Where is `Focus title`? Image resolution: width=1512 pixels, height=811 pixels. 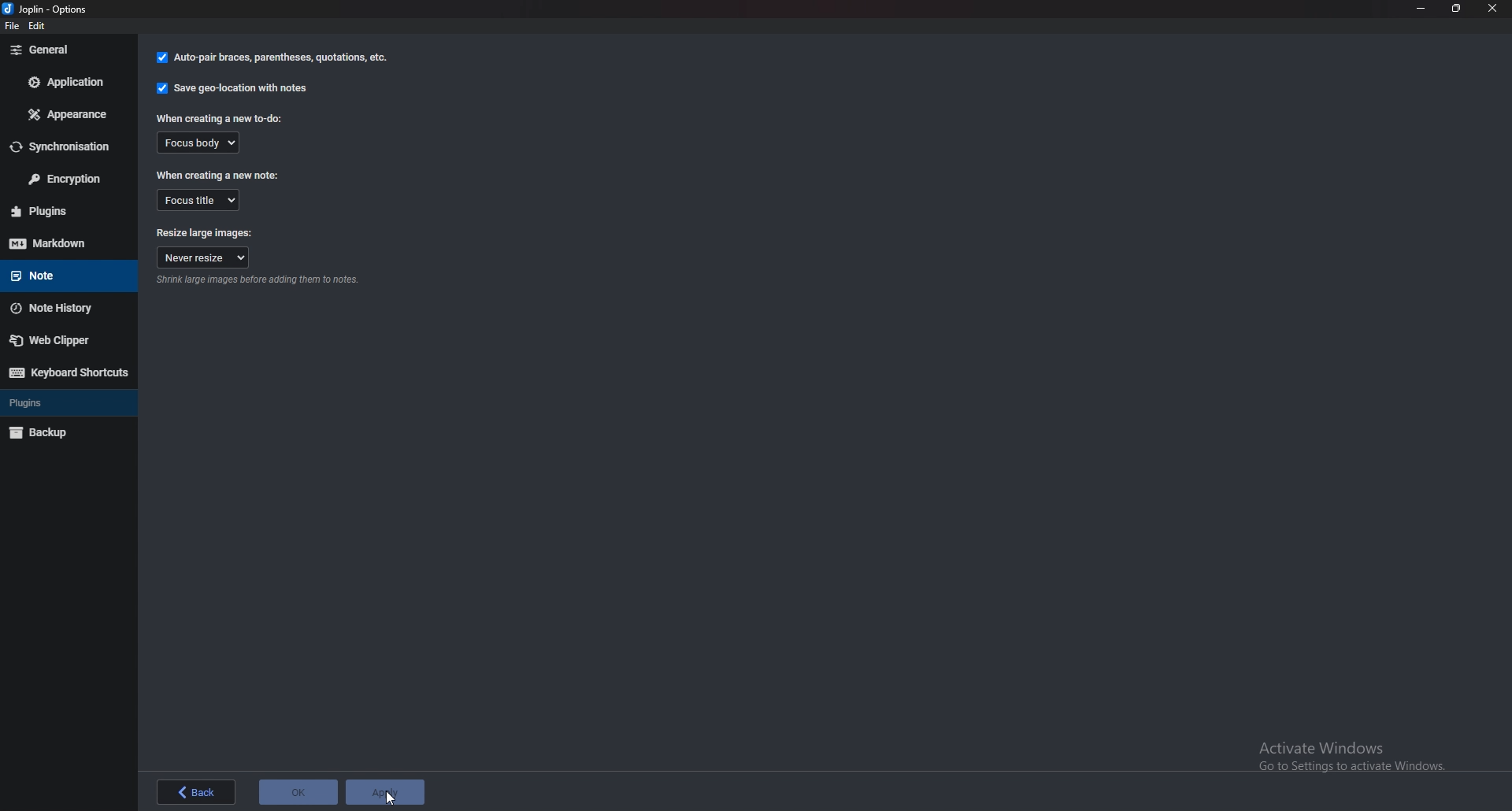
Focus title is located at coordinates (199, 199).